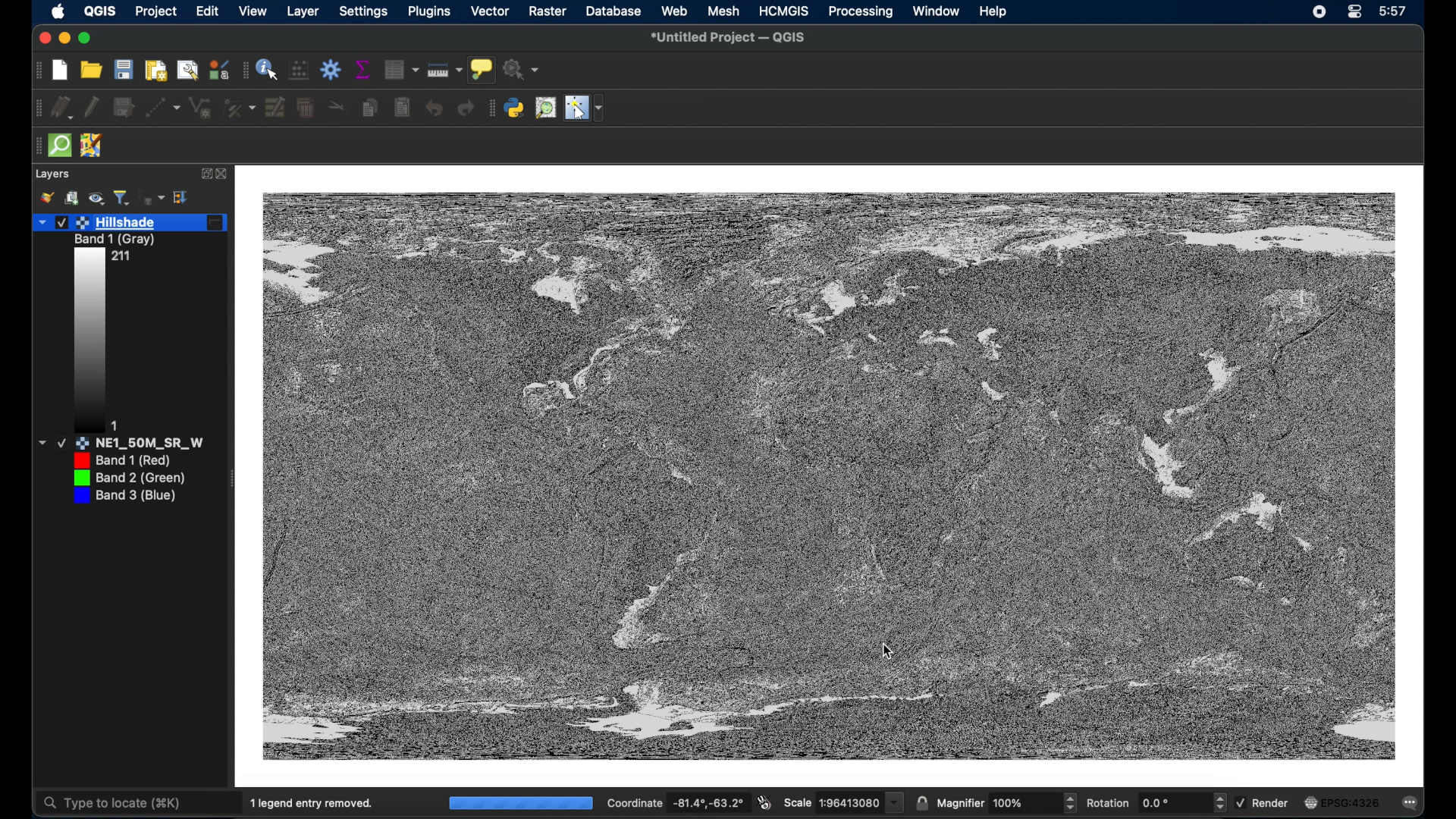  Describe the element at coordinates (275, 108) in the screenshot. I see `modify attributes` at that location.